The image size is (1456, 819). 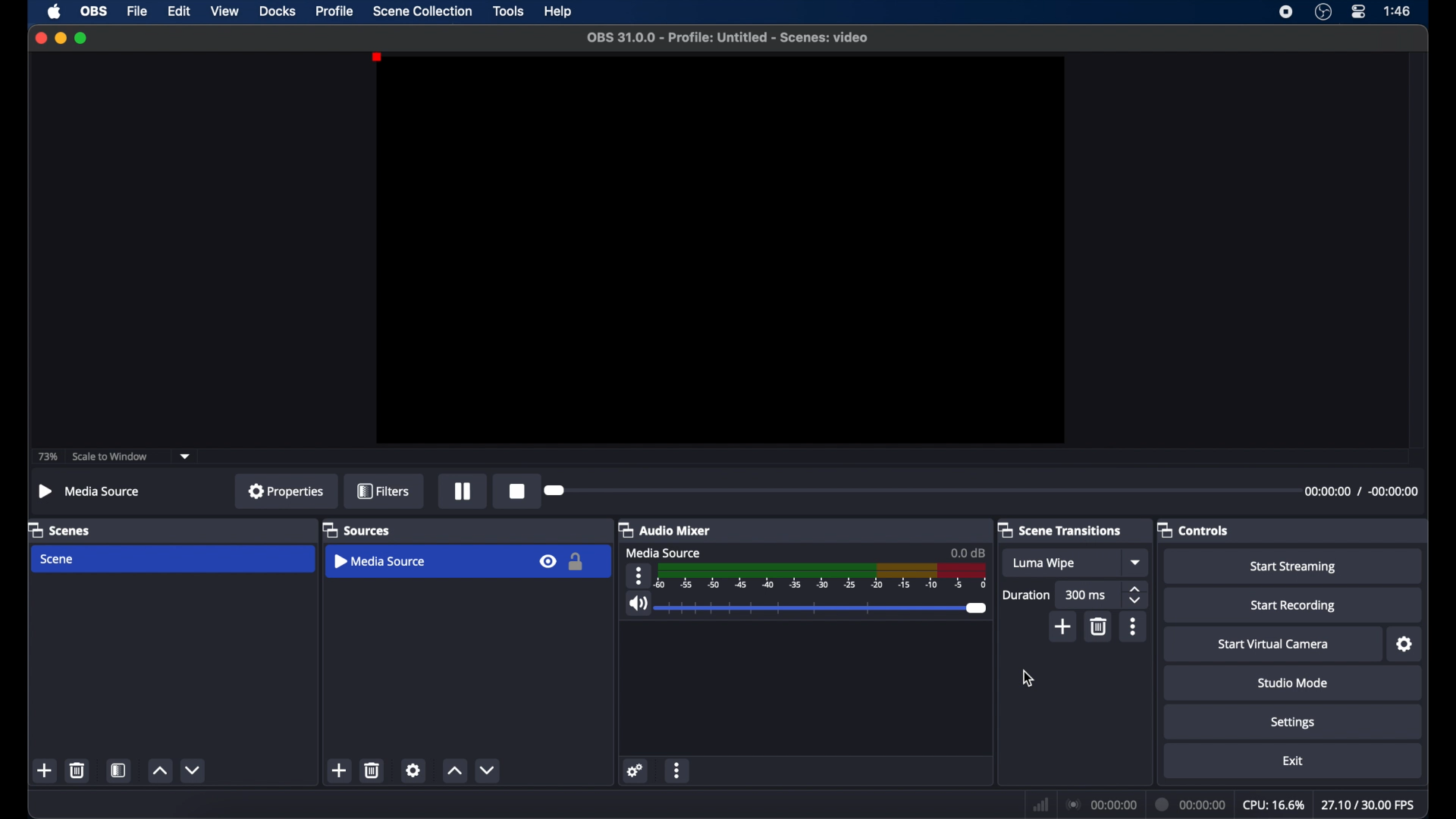 I want to click on sources, so click(x=356, y=531).